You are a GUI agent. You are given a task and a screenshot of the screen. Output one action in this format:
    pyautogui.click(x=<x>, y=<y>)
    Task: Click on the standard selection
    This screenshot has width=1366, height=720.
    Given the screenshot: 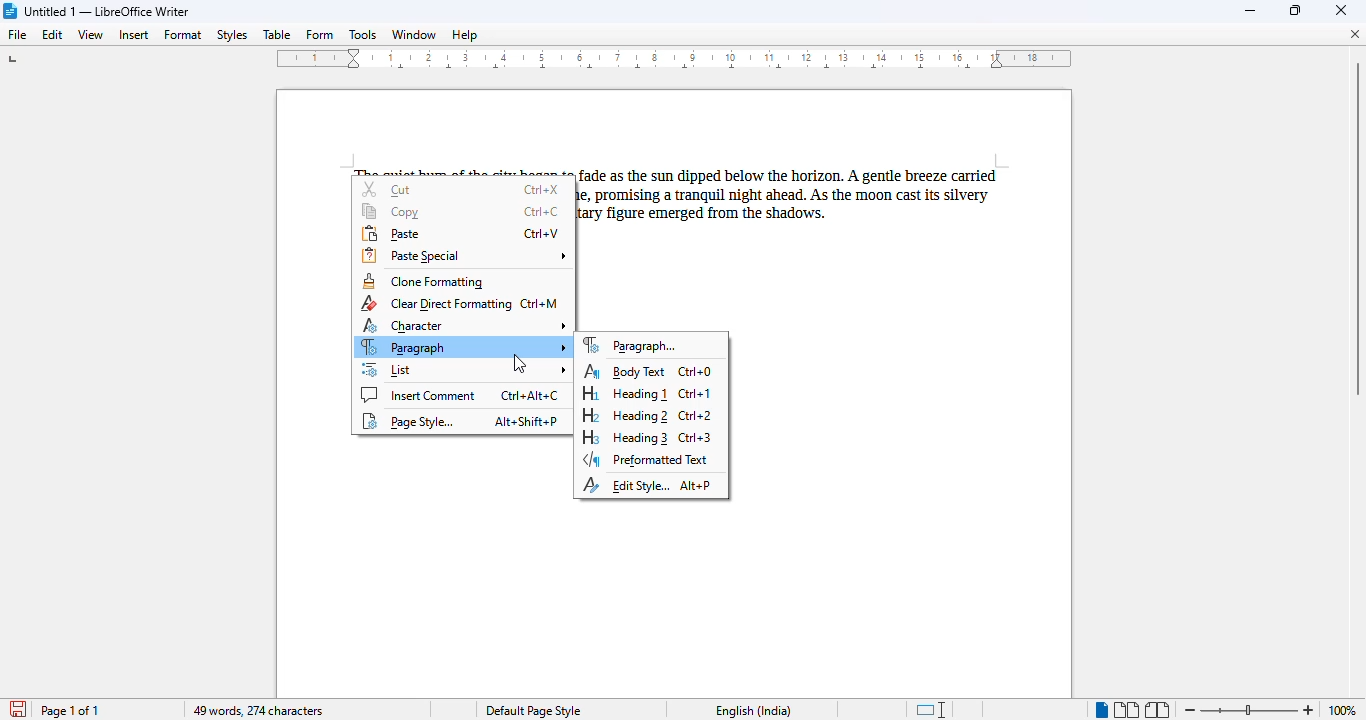 What is the action you would take?
    pyautogui.click(x=931, y=709)
    